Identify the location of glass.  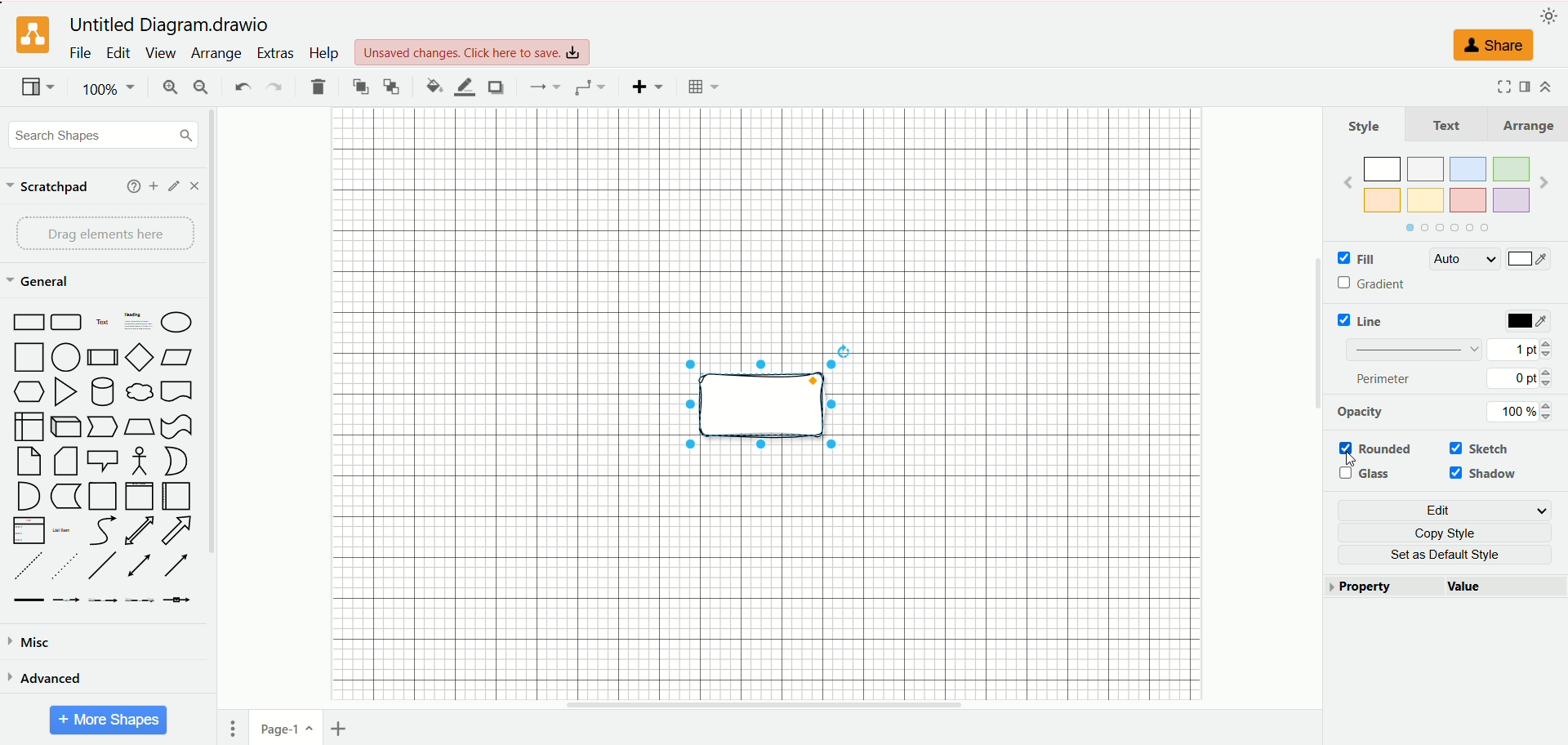
(1369, 474).